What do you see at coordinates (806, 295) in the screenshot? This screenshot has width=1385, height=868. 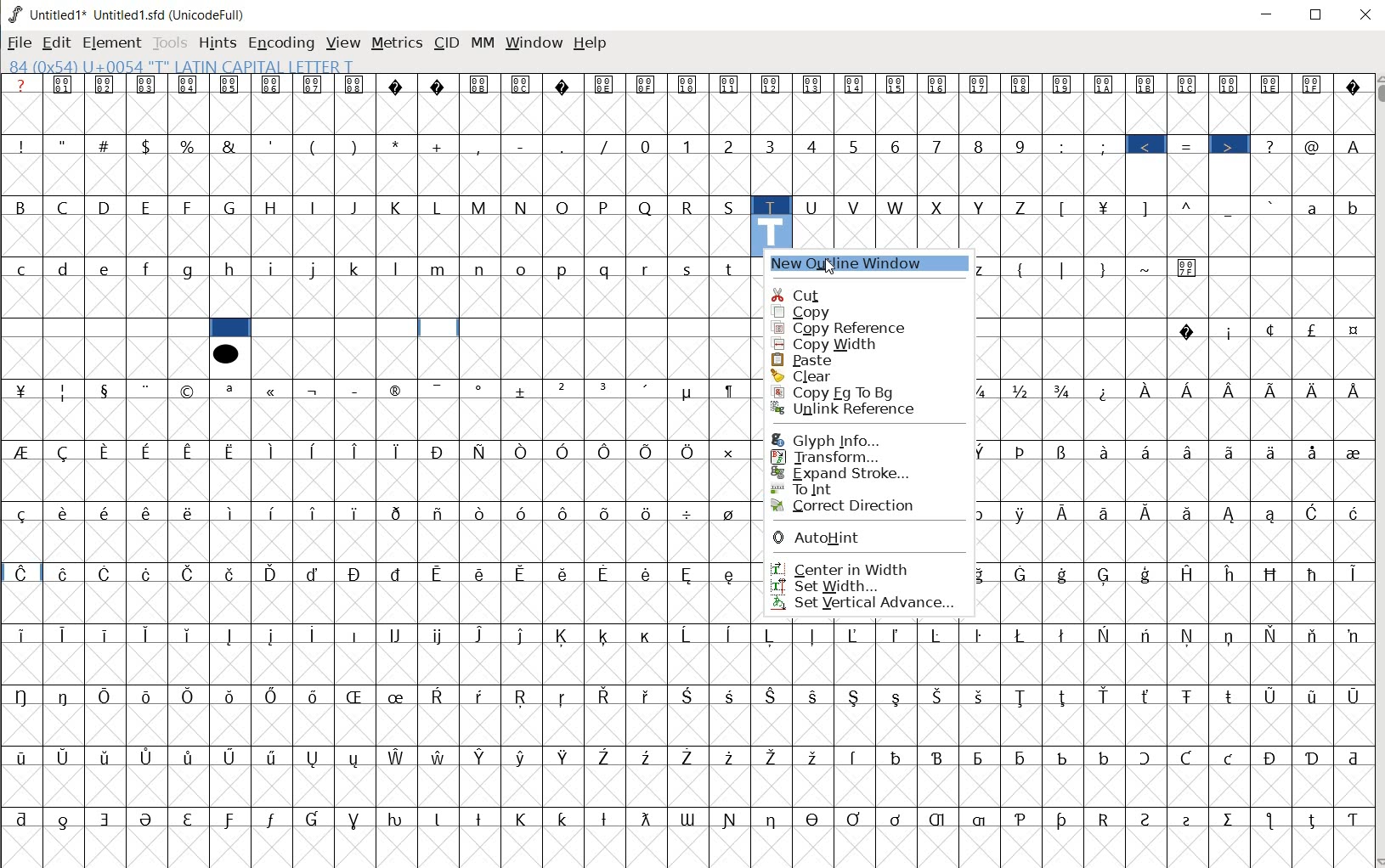 I see `cut` at bounding box center [806, 295].